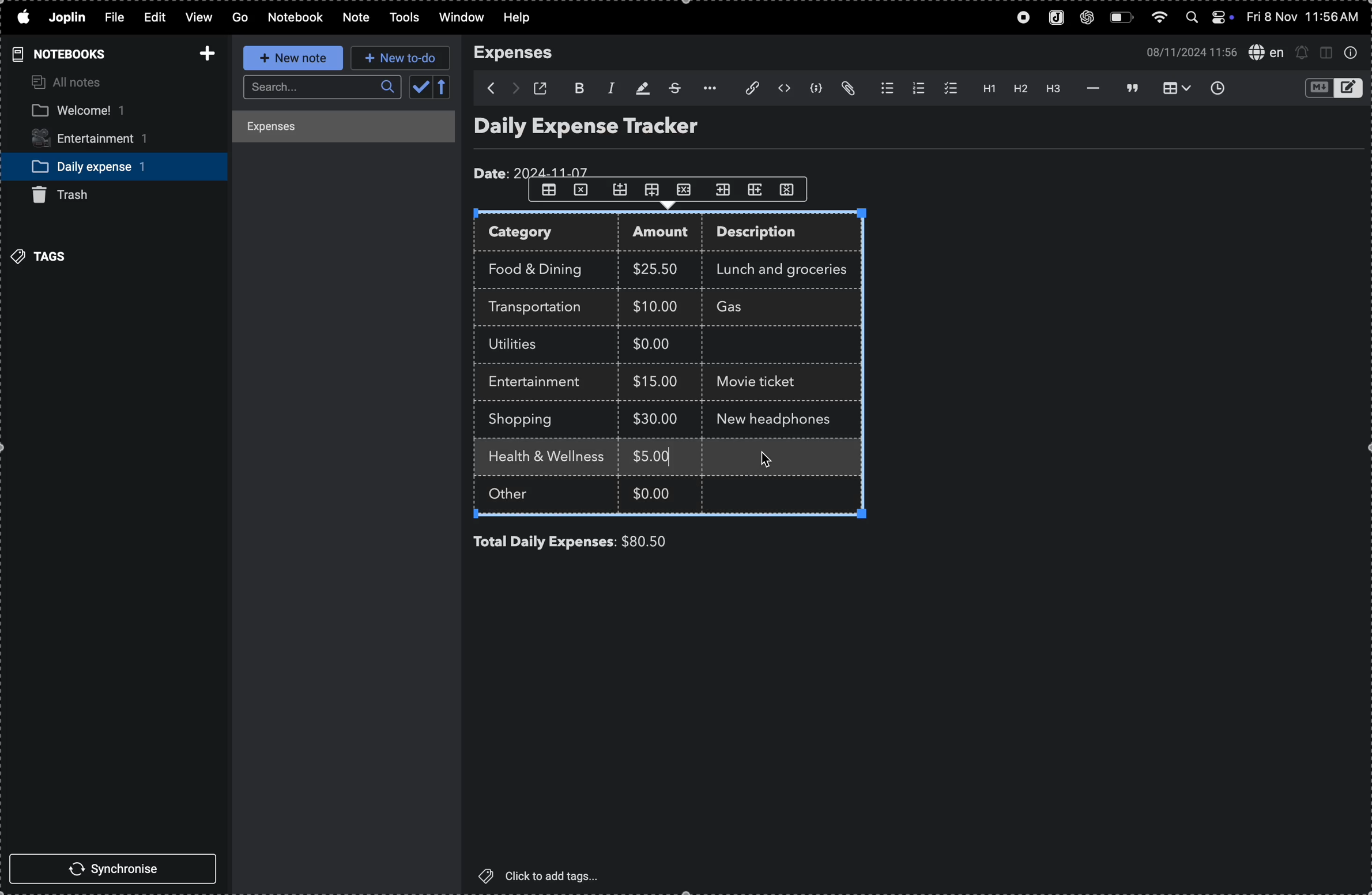  I want to click on window, so click(460, 18).